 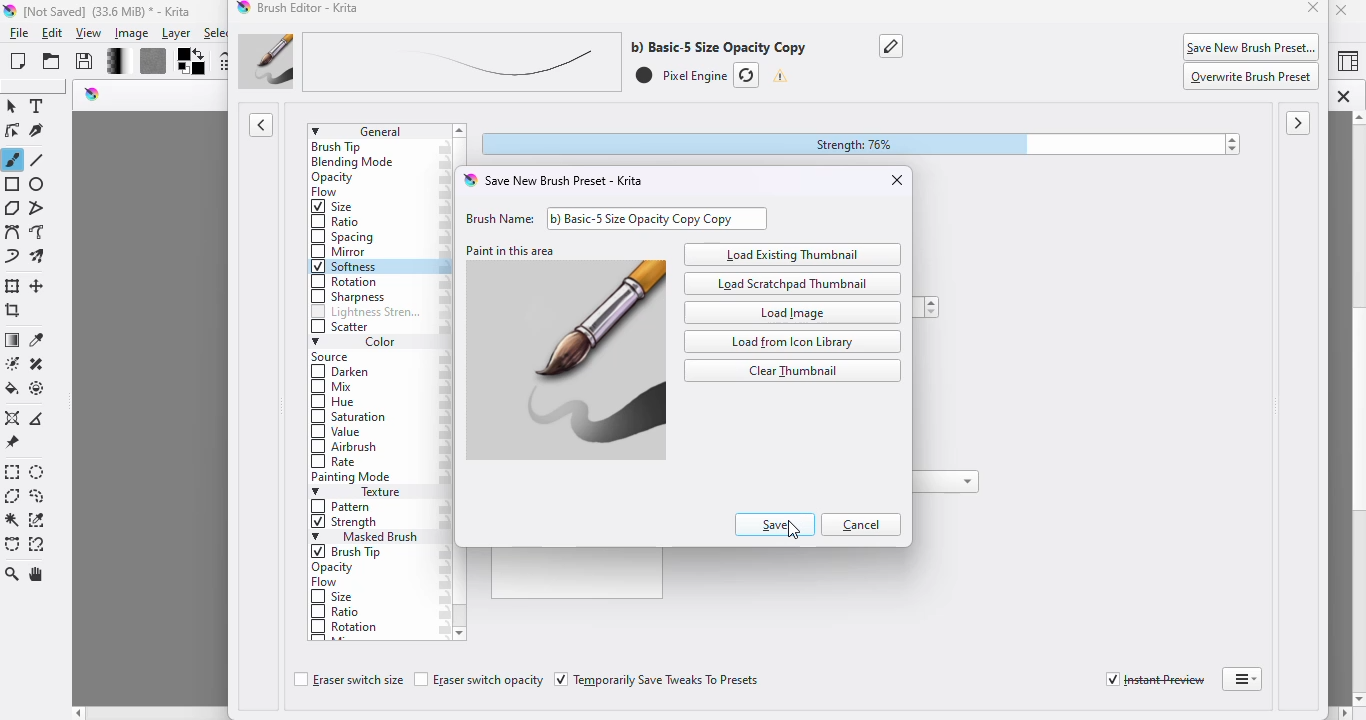 I want to click on opacity, so click(x=336, y=568).